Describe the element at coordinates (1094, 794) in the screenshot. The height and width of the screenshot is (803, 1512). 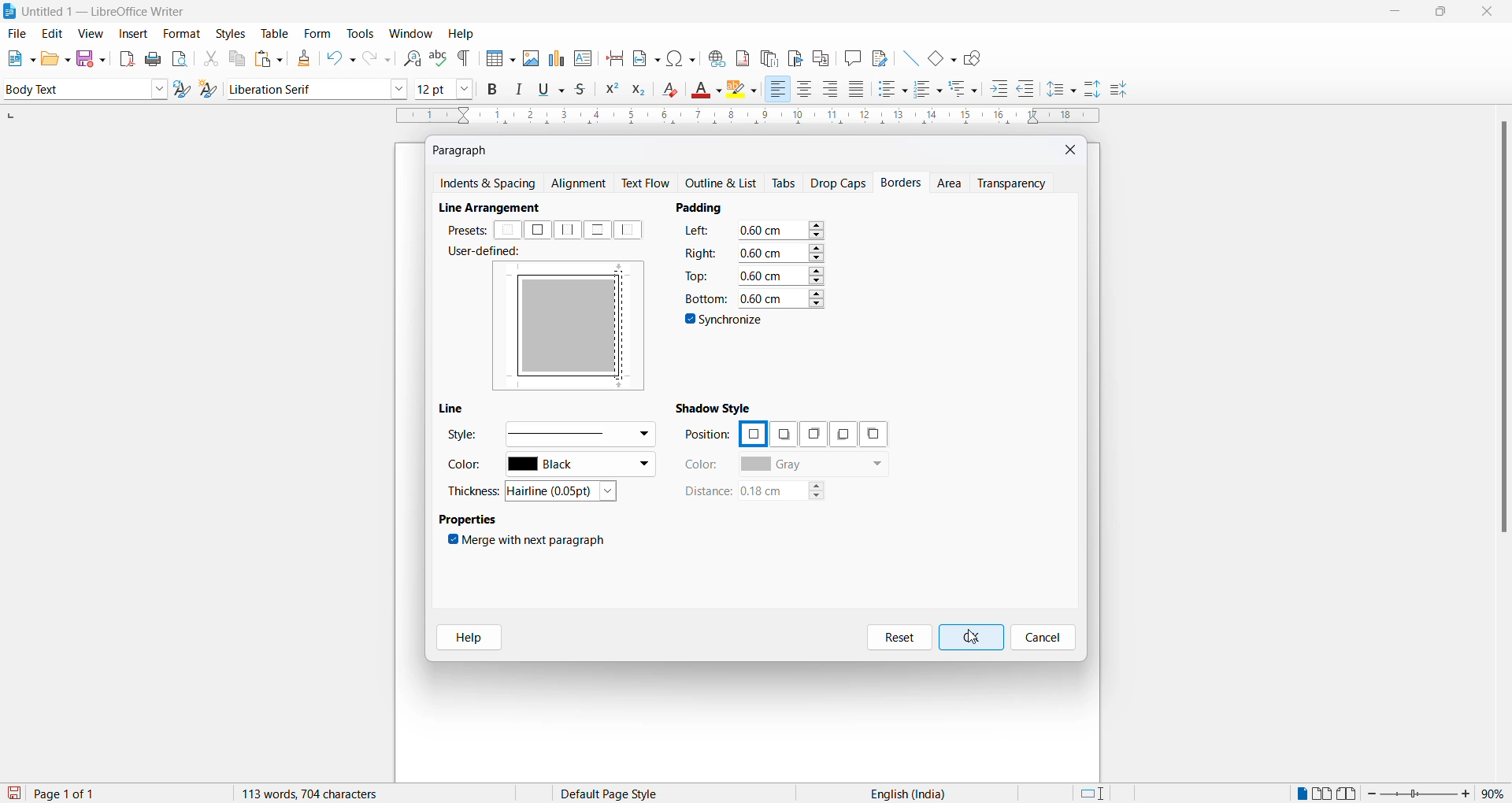
I see `standard selection` at that location.